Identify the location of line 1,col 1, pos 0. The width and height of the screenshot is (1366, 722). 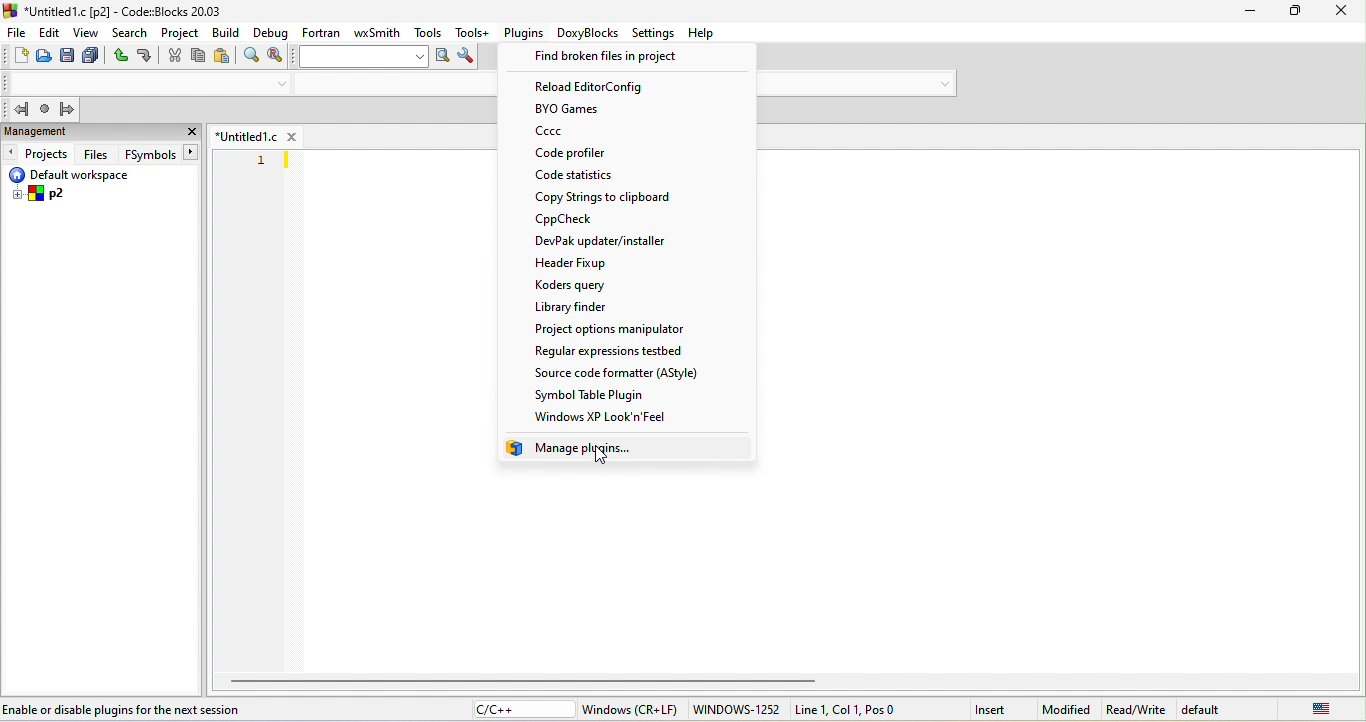
(846, 711).